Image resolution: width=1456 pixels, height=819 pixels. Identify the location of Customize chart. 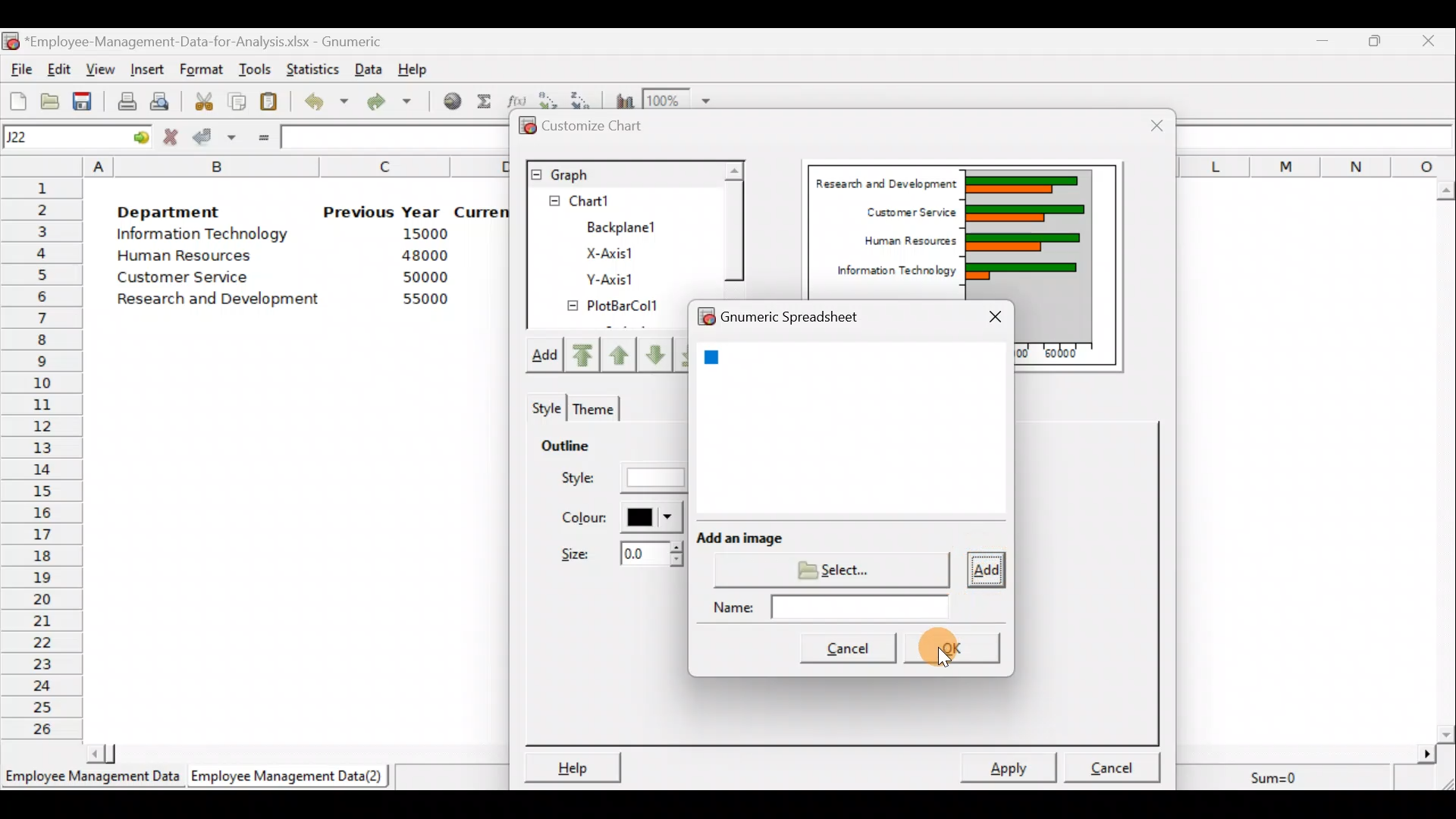
(591, 127).